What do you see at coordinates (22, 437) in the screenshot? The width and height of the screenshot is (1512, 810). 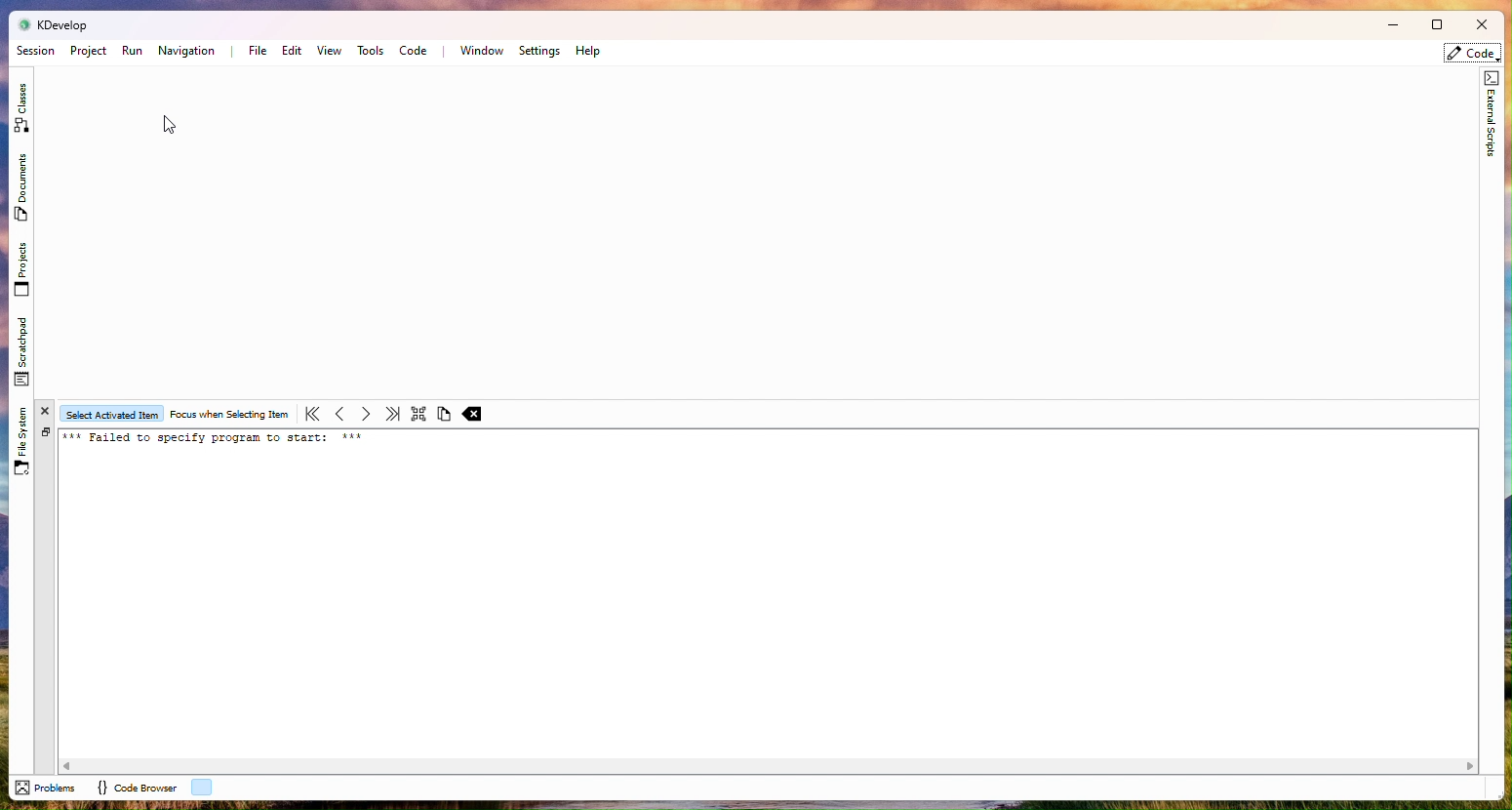 I see `File System` at bounding box center [22, 437].